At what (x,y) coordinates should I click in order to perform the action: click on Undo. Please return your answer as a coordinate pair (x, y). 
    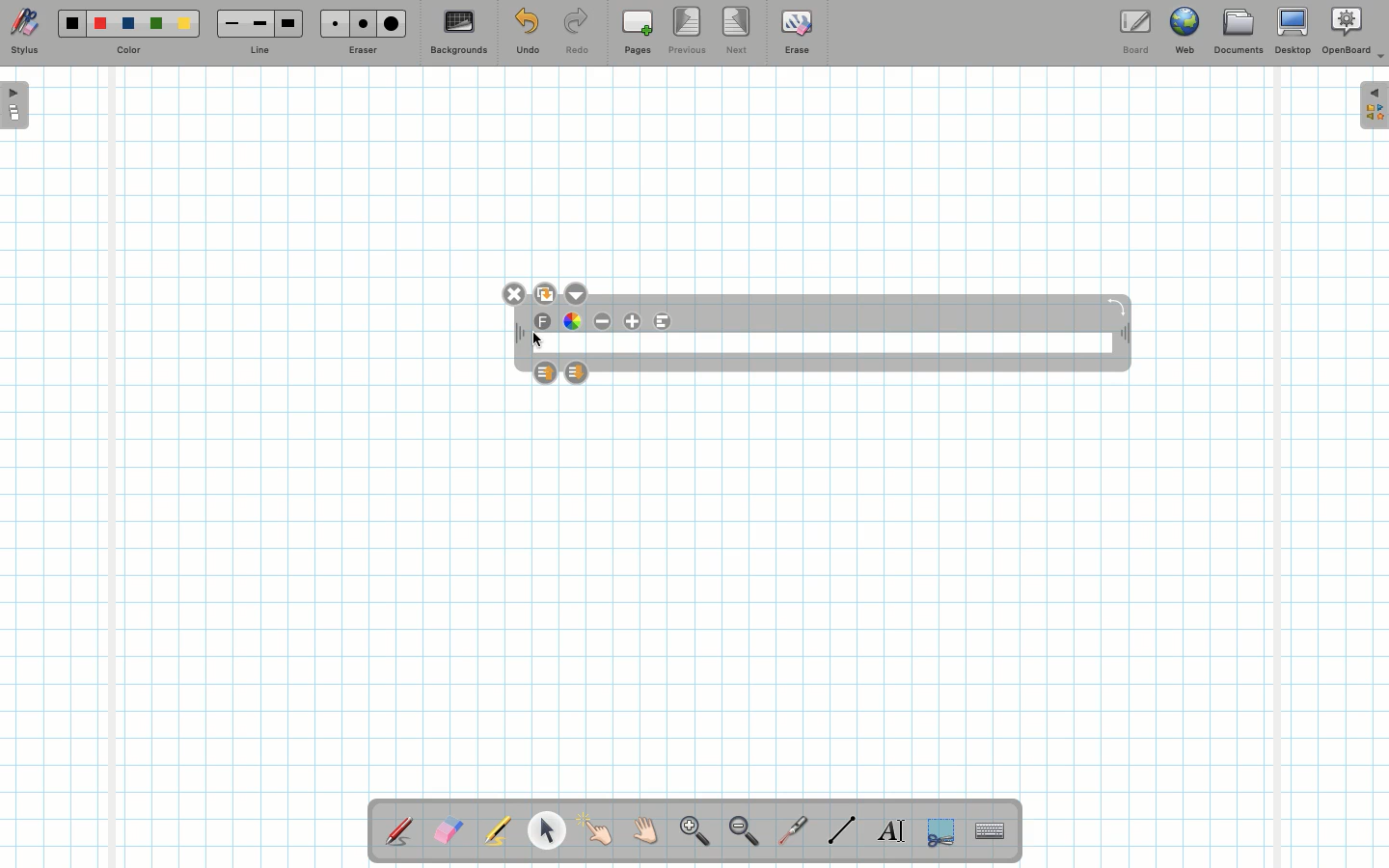
    Looking at the image, I should click on (527, 35).